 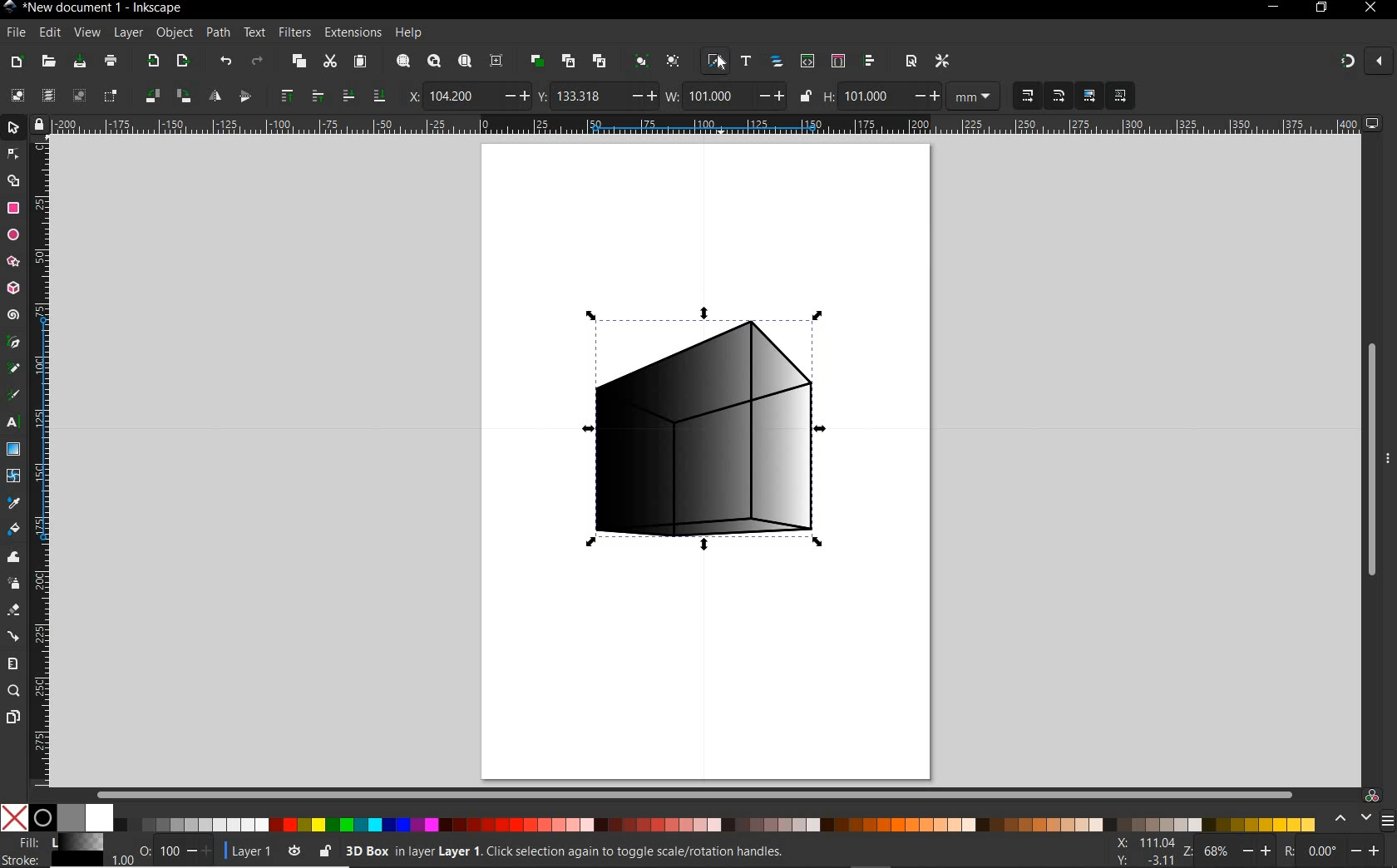 What do you see at coordinates (244, 96) in the screenshot?
I see `OBJECT FLIP` at bounding box center [244, 96].